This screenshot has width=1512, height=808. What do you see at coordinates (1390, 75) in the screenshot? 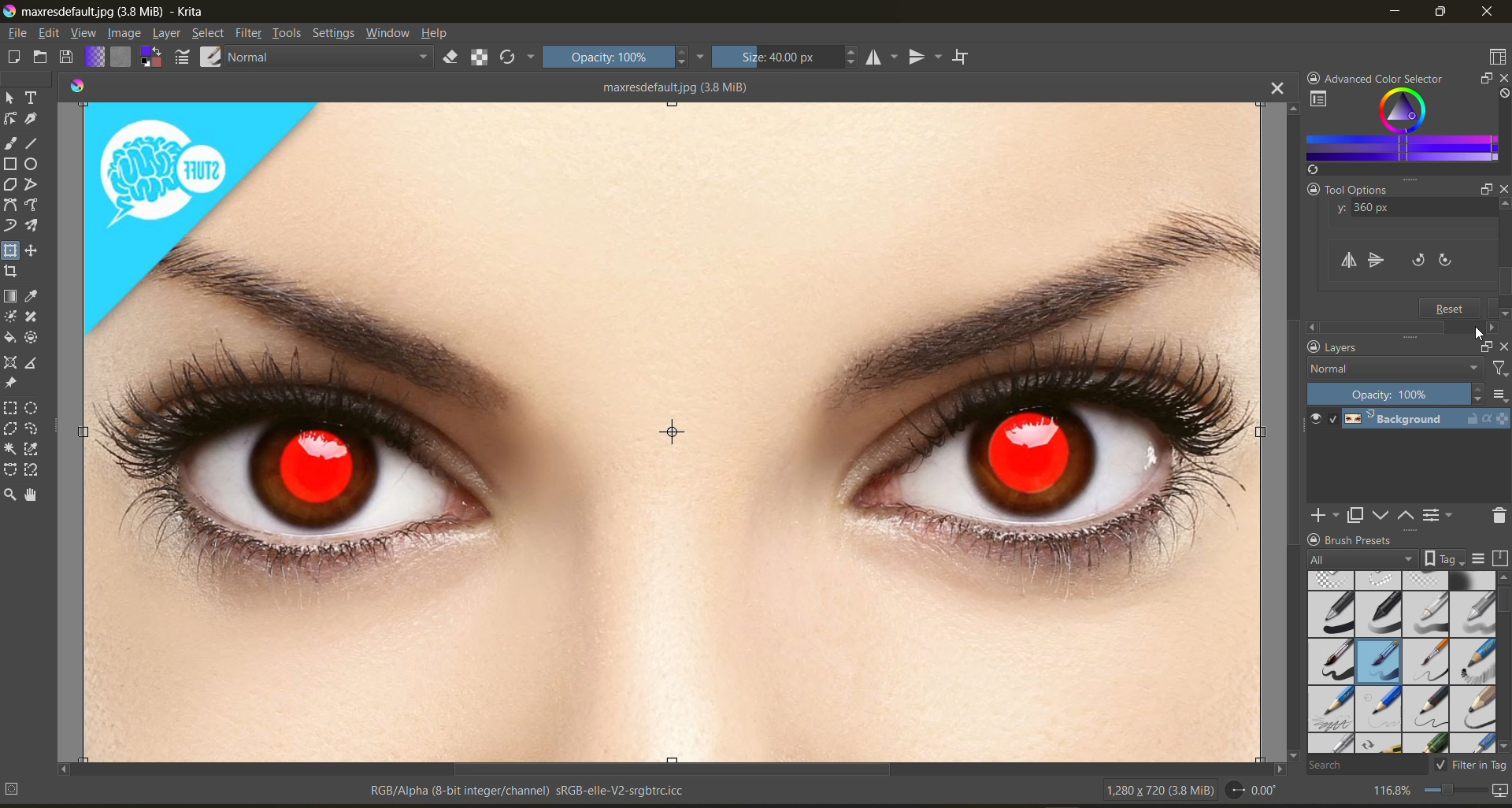
I see `Advanced color selector` at bounding box center [1390, 75].